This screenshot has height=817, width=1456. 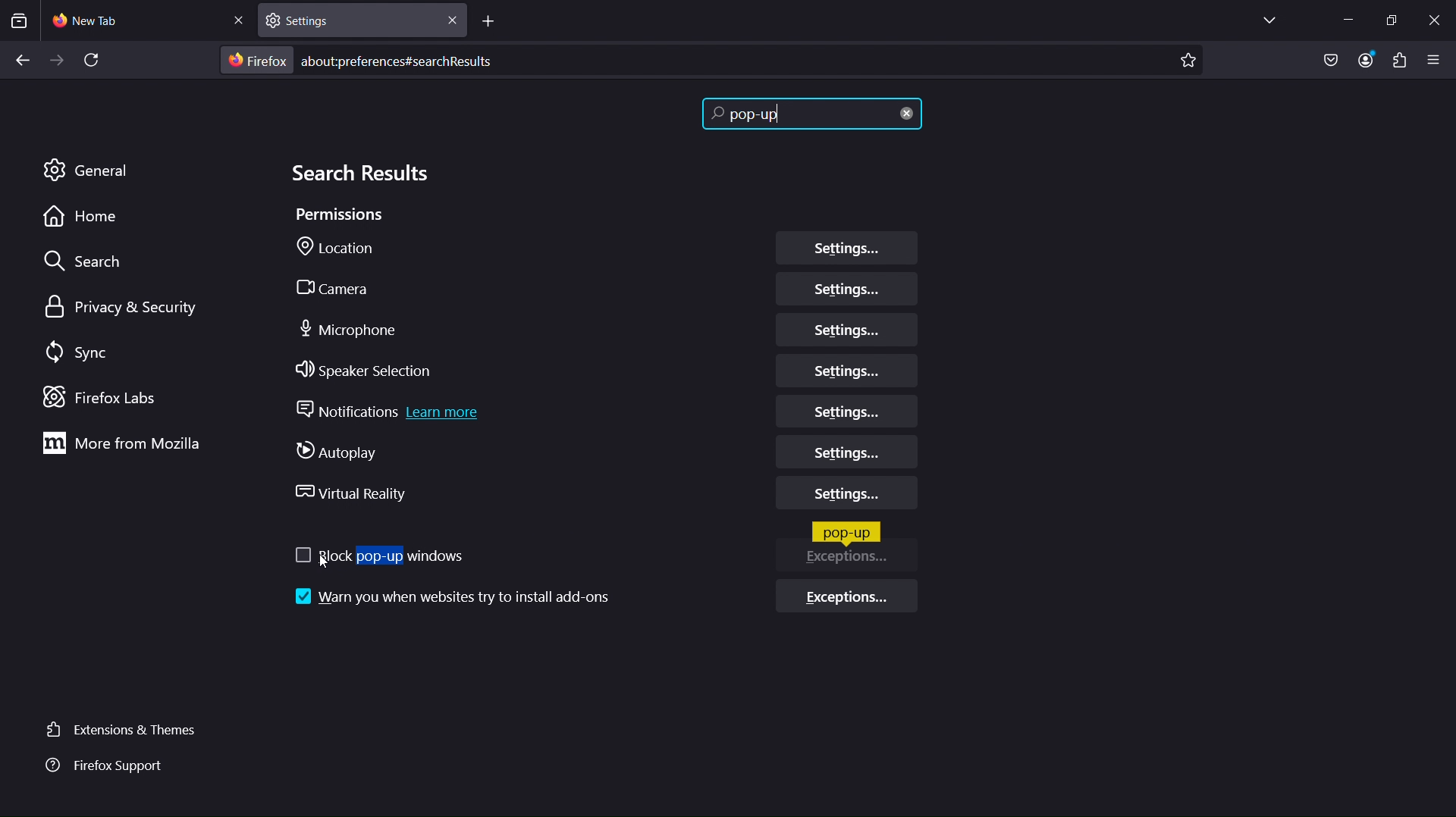 What do you see at coordinates (843, 453) in the screenshot?
I see `Autoplay Settings` at bounding box center [843, 453].